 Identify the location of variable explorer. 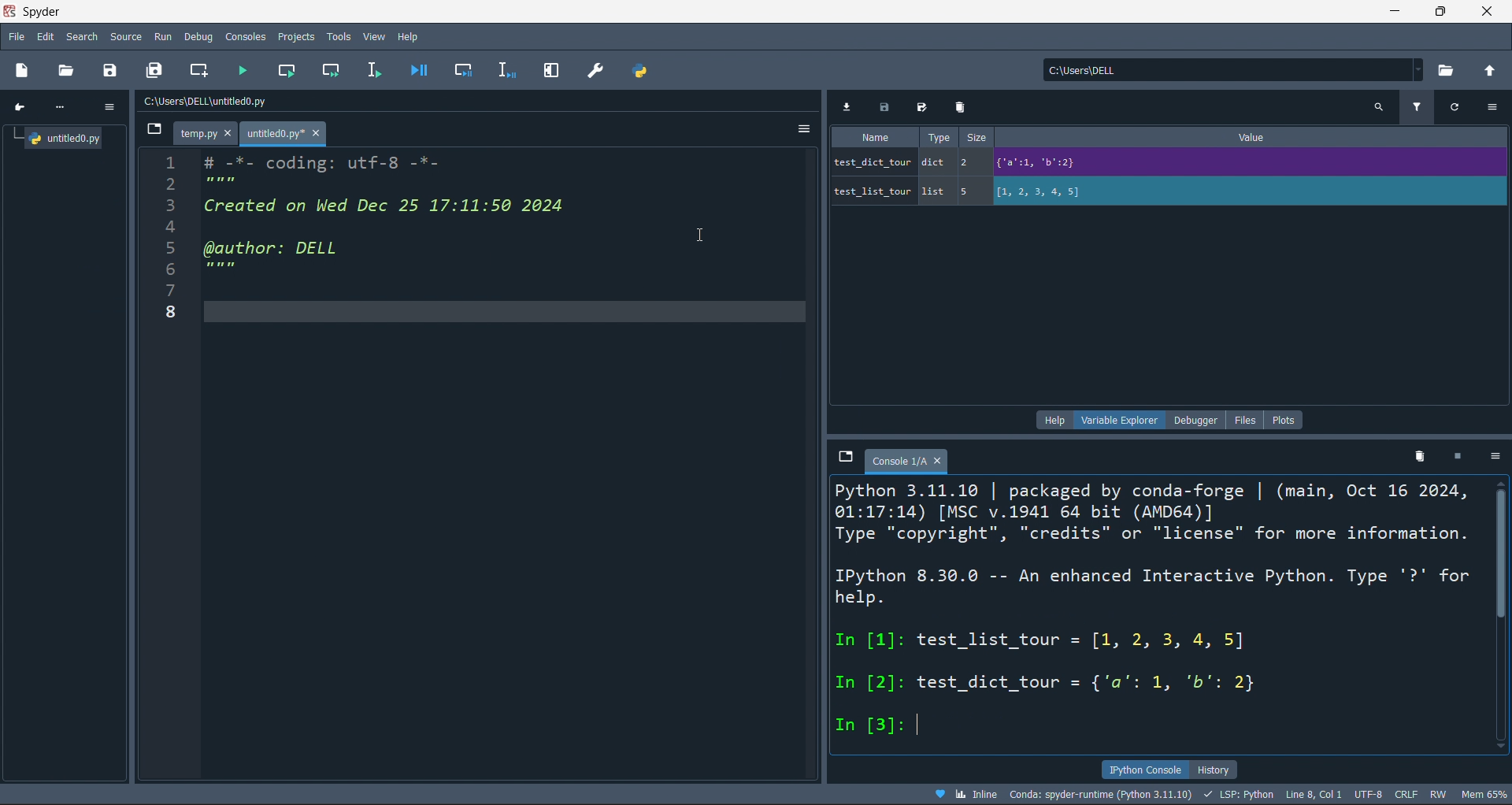
(1122, 420).